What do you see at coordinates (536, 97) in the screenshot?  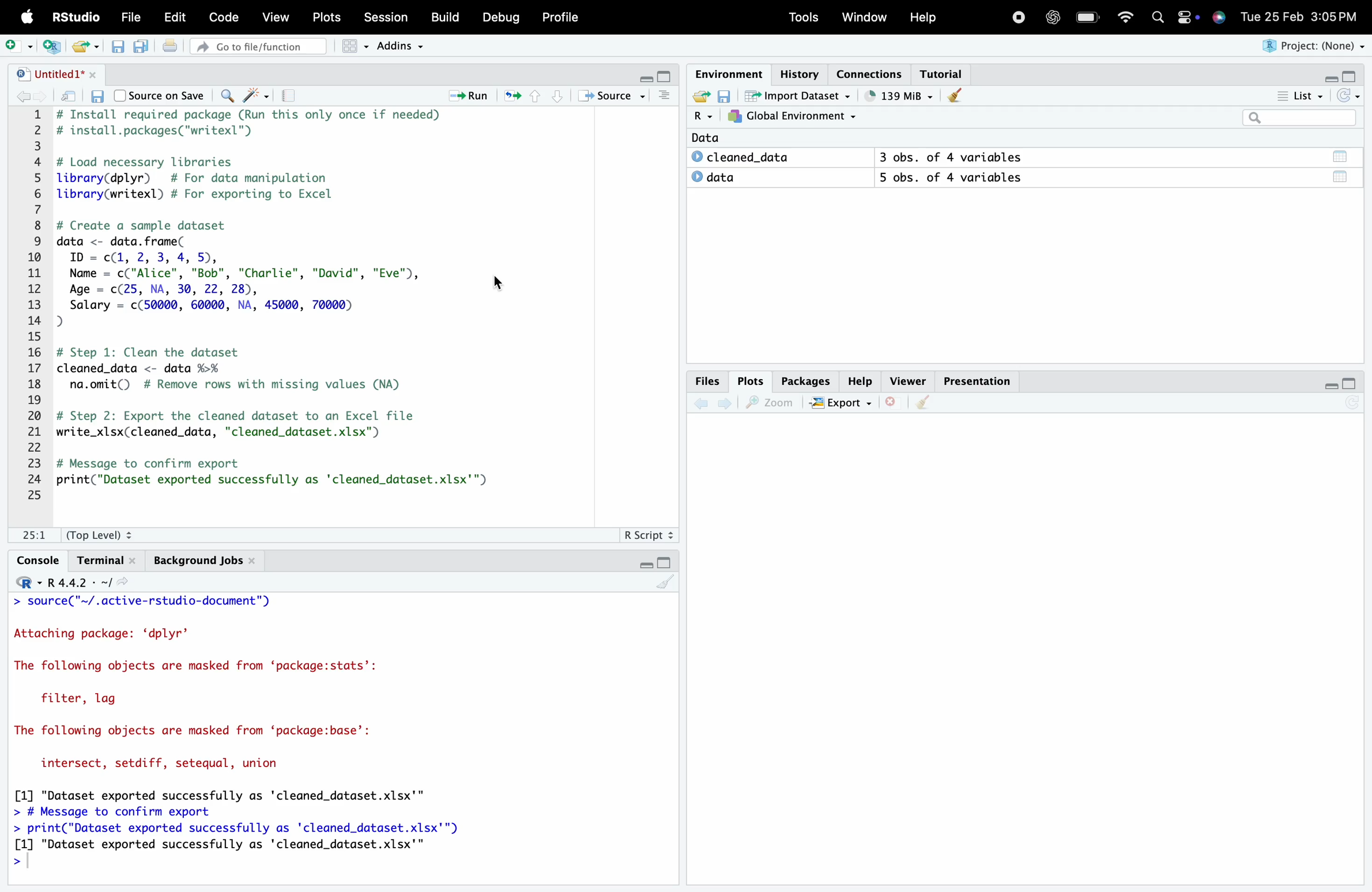 I see `Go to previous section/chunk (Ctrl + PgUp)` at bounding box center [536, 97].